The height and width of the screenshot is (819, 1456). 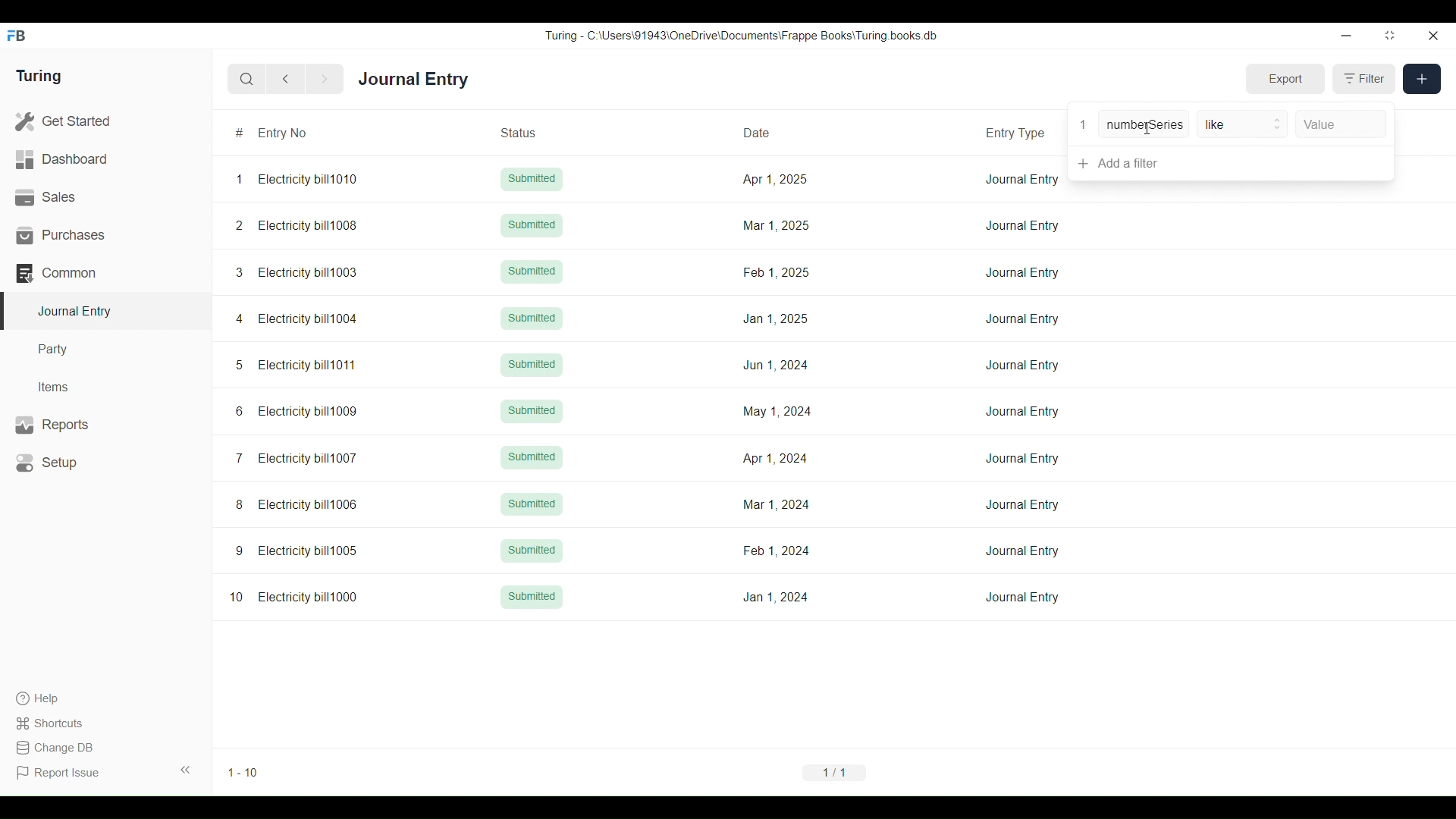 I want to click on Close, so click(x=1433, y=36).